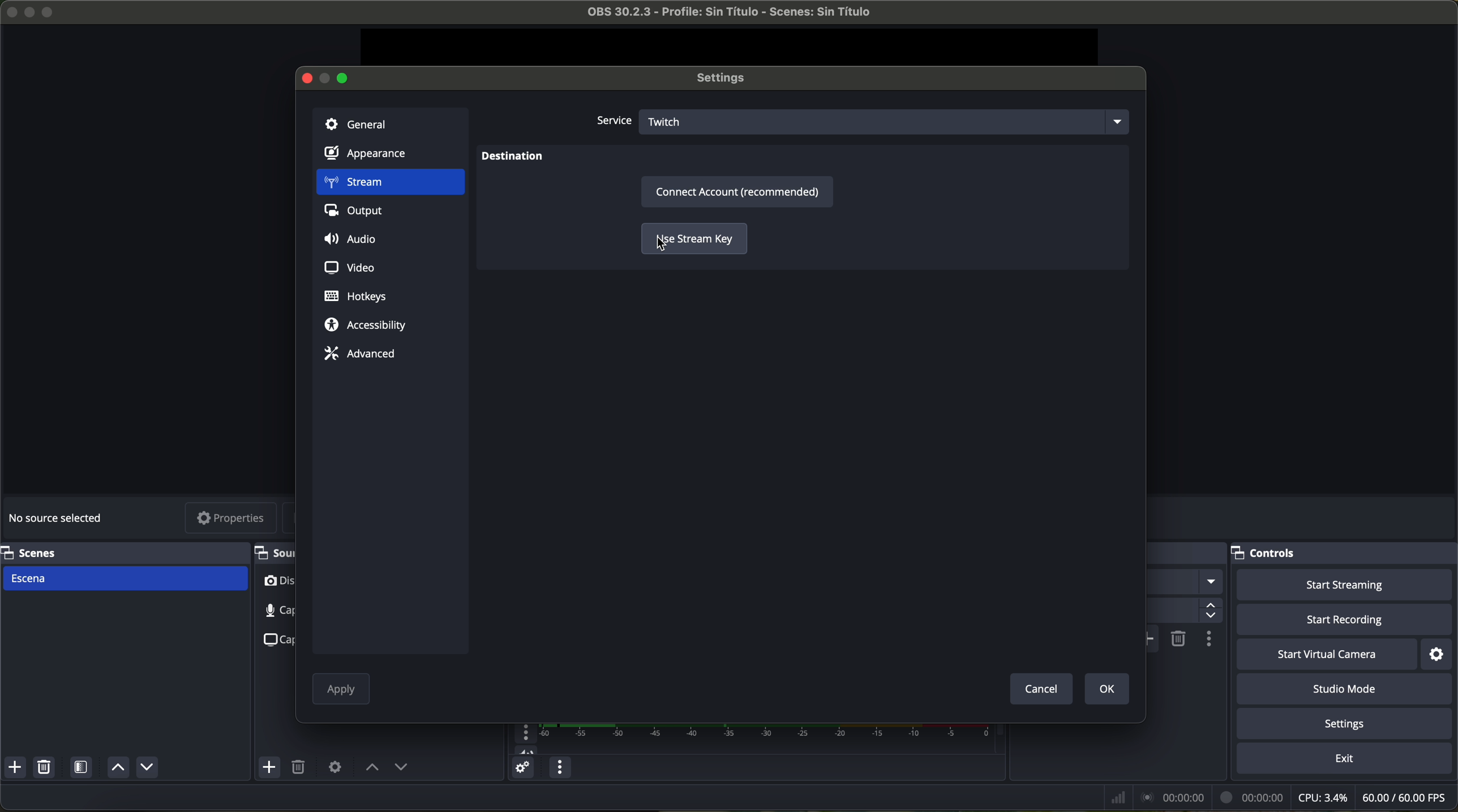  What do you see at coordinates (1153, 639) in the screenshot?
I see `add configurable transition` at bounding box center [1153, 639].